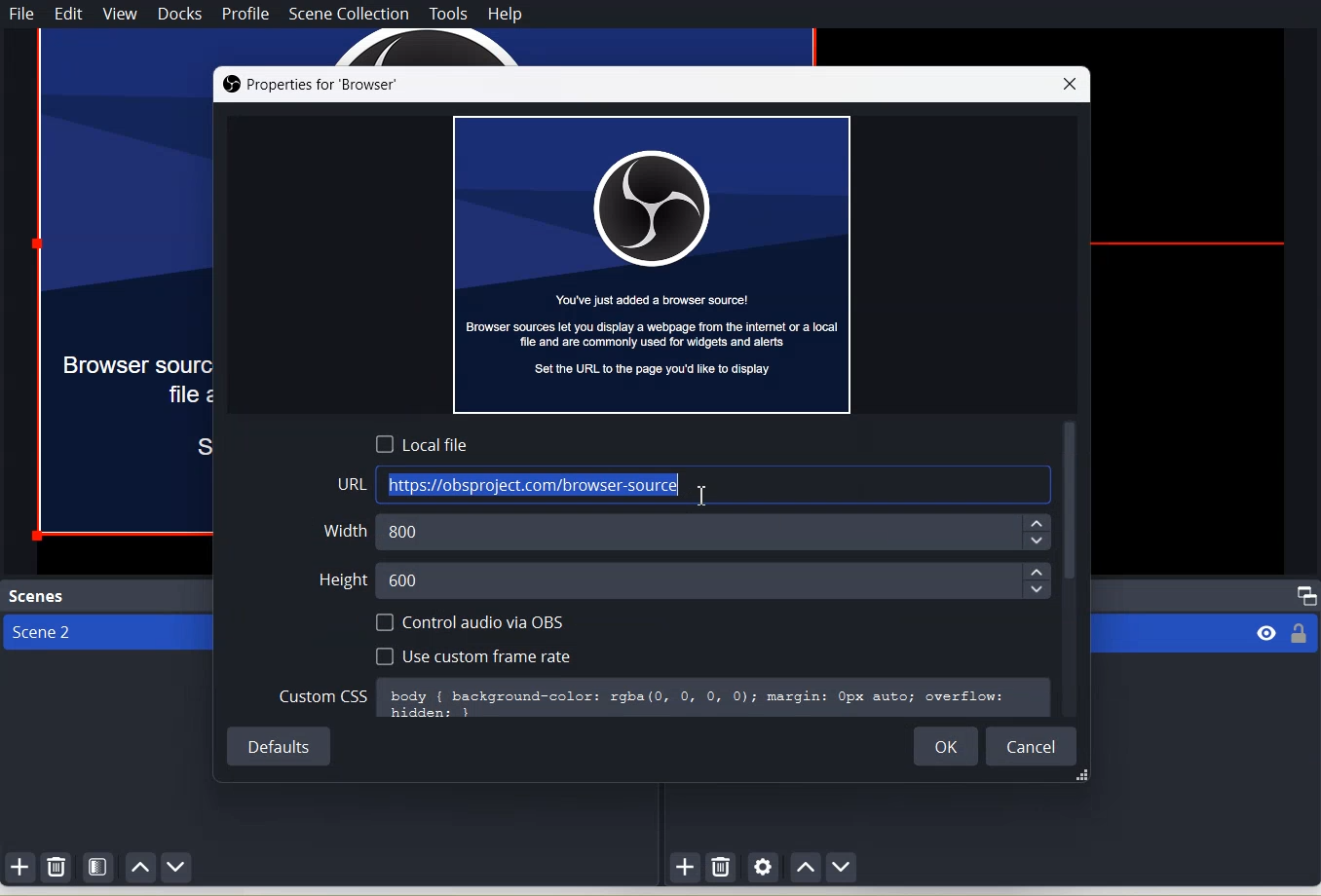 This screenshot has width=1321, height=896. I want to click on URL, so click(351, 482).